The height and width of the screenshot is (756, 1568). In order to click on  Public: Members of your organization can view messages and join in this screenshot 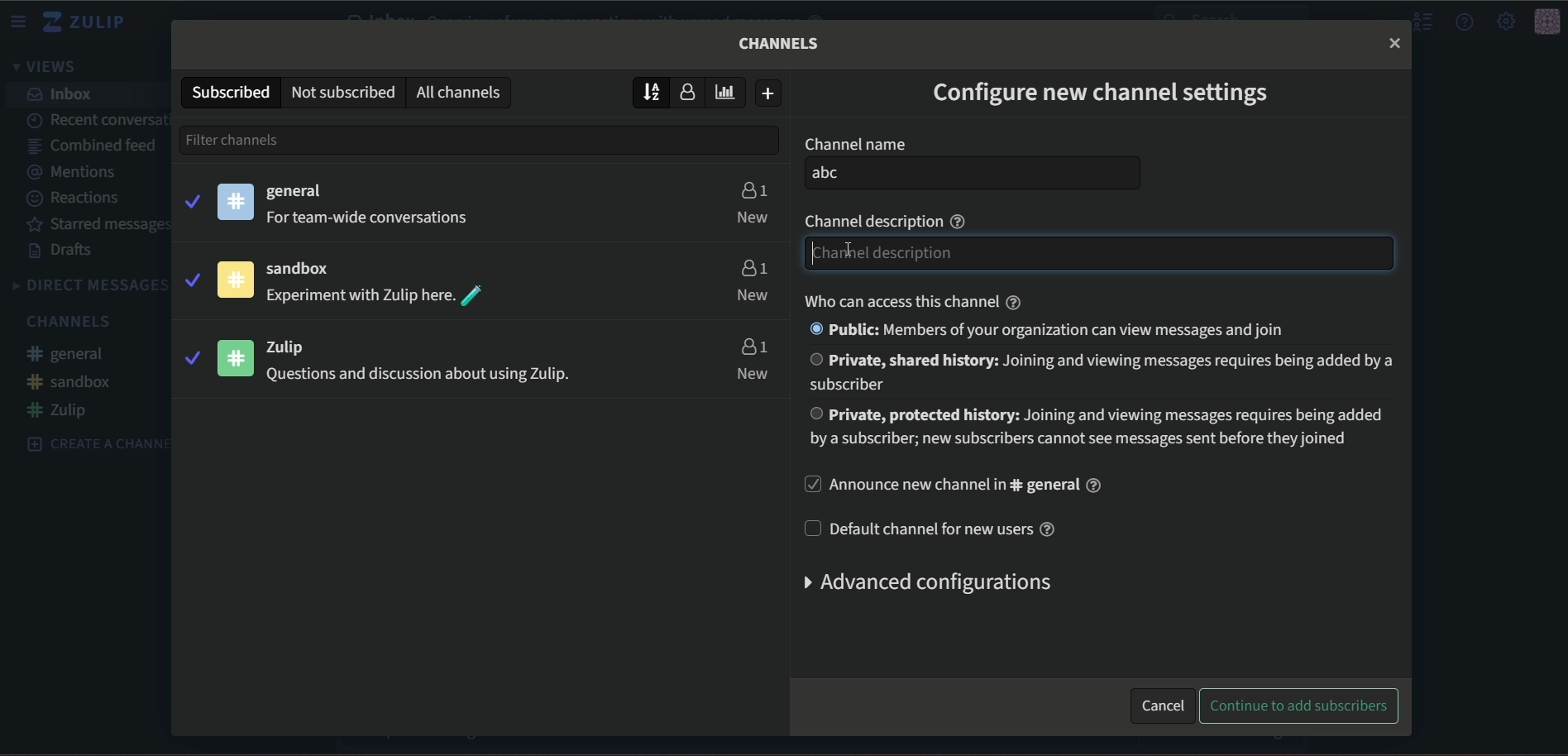, I will do `click(1057, 330)`.